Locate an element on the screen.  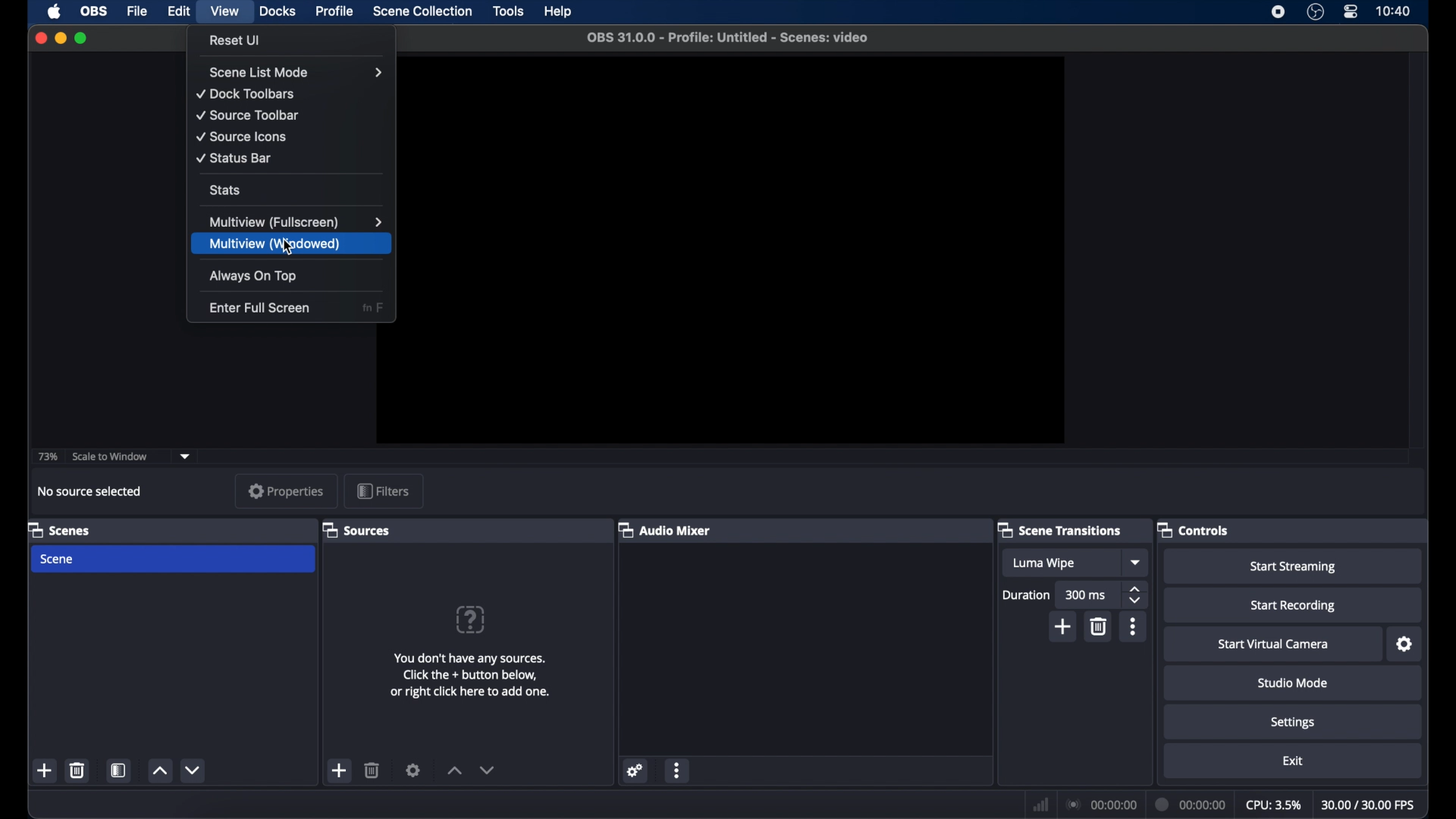
300 ms is located at coordinates (1087, 595).